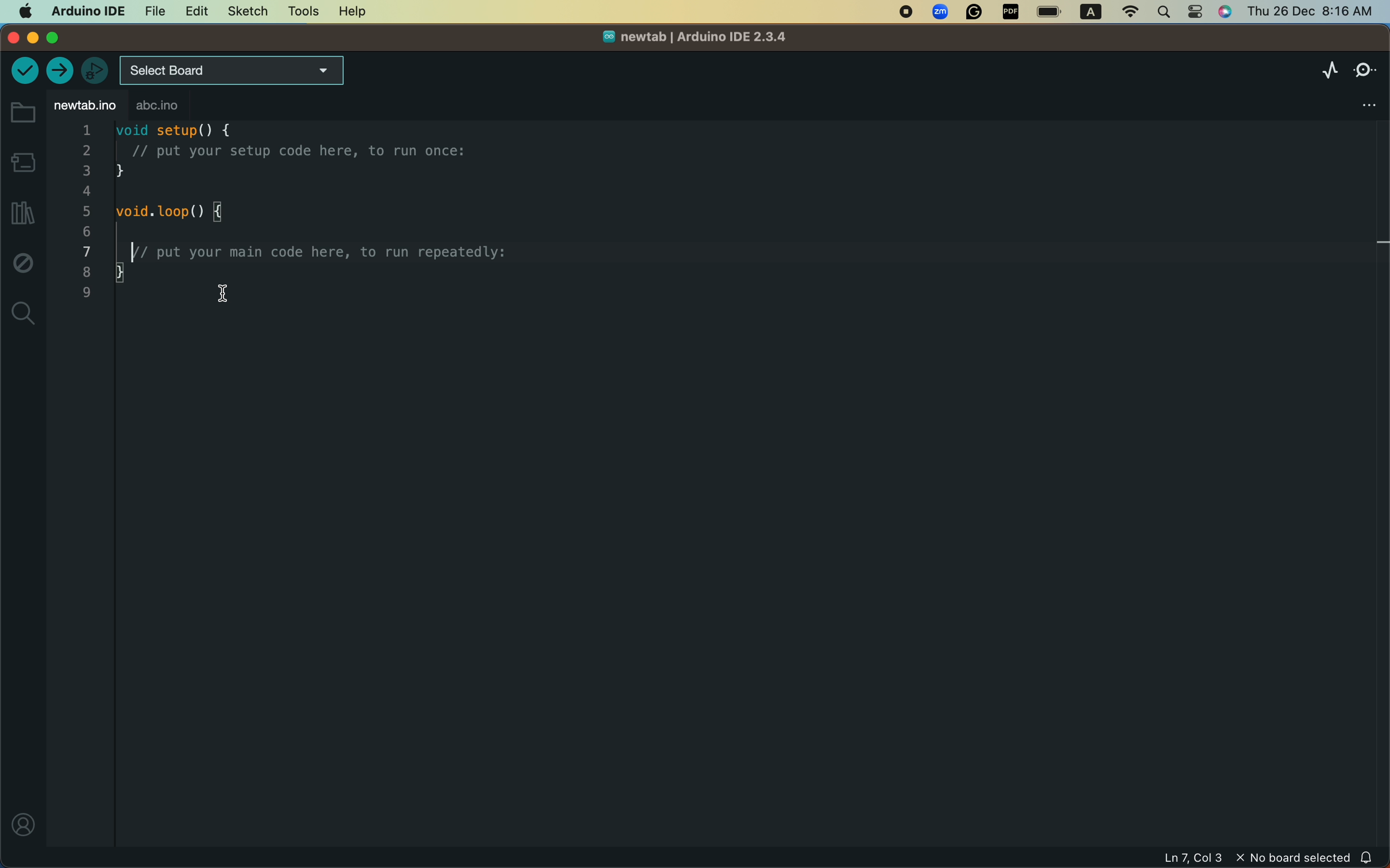  Describe the element at coordinates (1011, 13) in the screenshot. I see `` at that location.